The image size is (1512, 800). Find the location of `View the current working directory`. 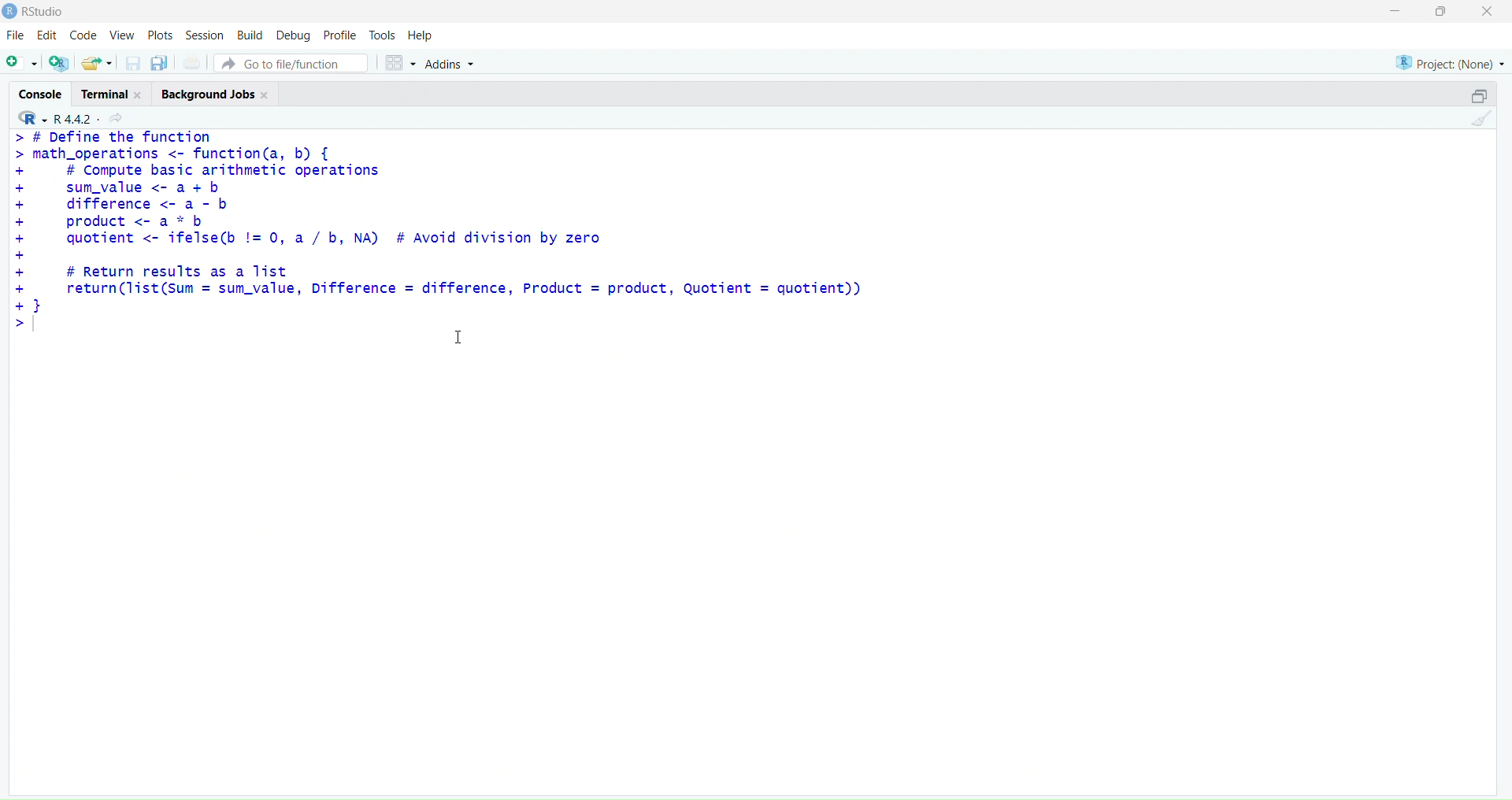

View the current working directory is located at coordinates (119, 119).